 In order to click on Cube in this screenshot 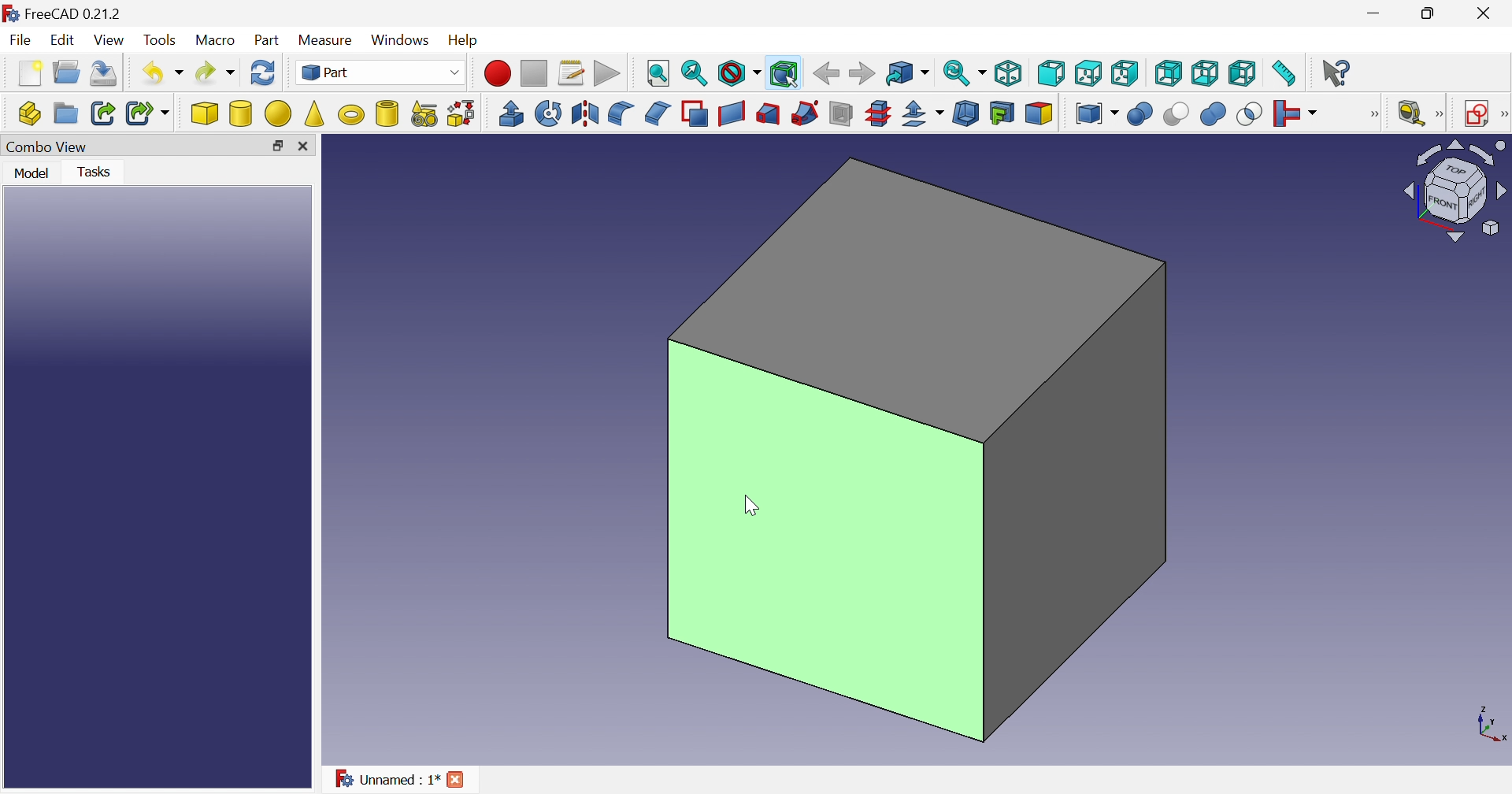, I will do `click(205, 113)`.